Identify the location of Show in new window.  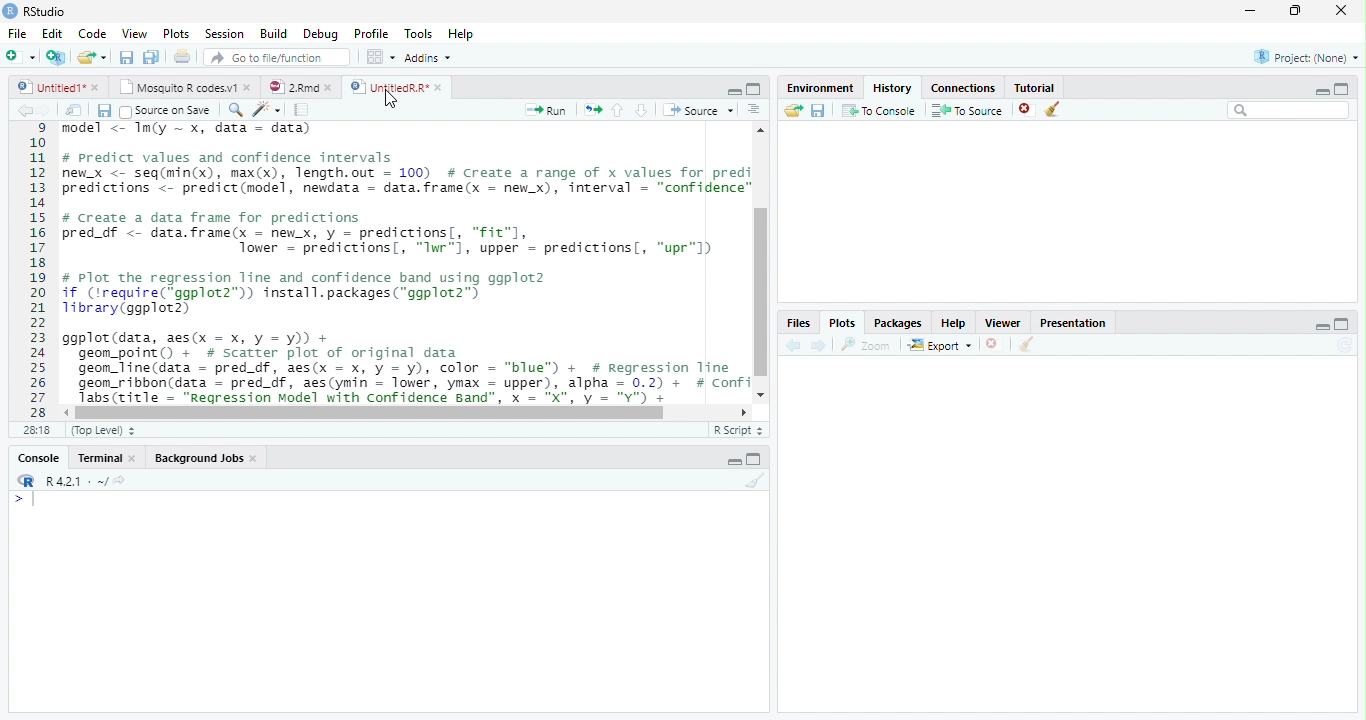
(74, 111).